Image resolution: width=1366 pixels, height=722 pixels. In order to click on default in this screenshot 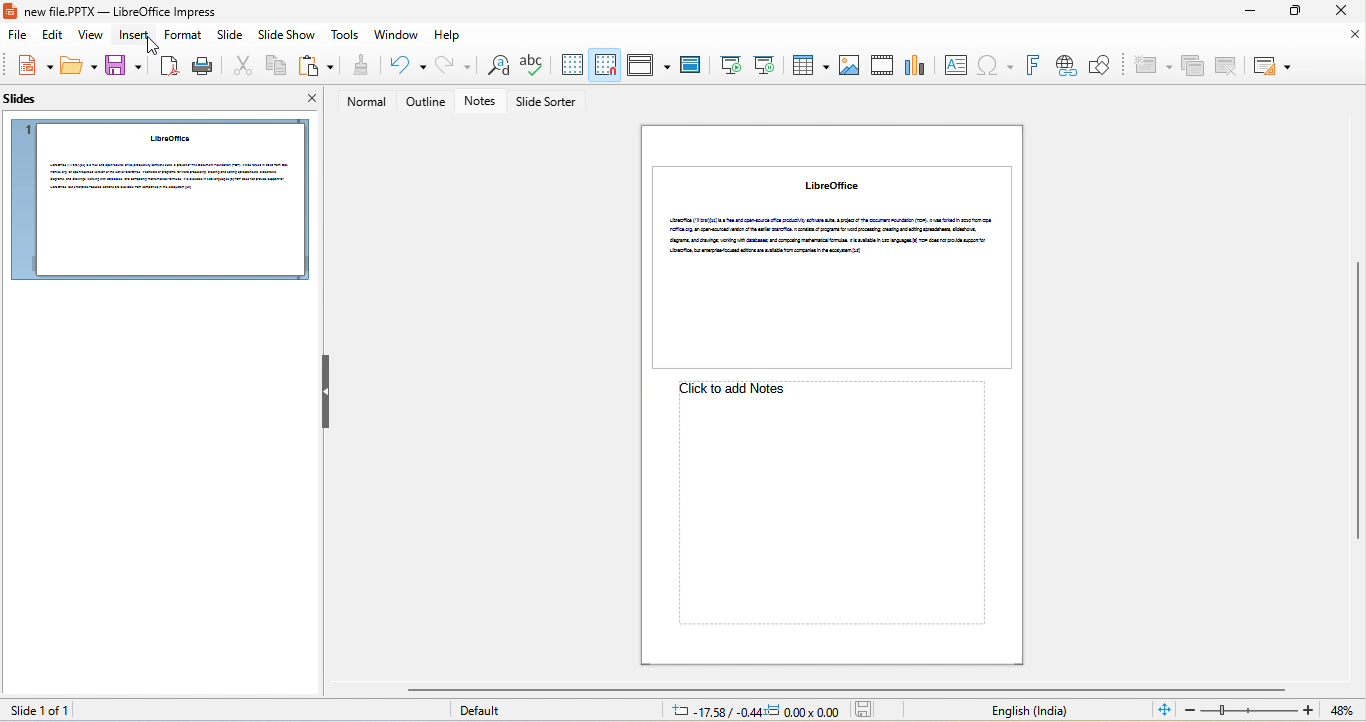, I will do `click(487, 712)`.